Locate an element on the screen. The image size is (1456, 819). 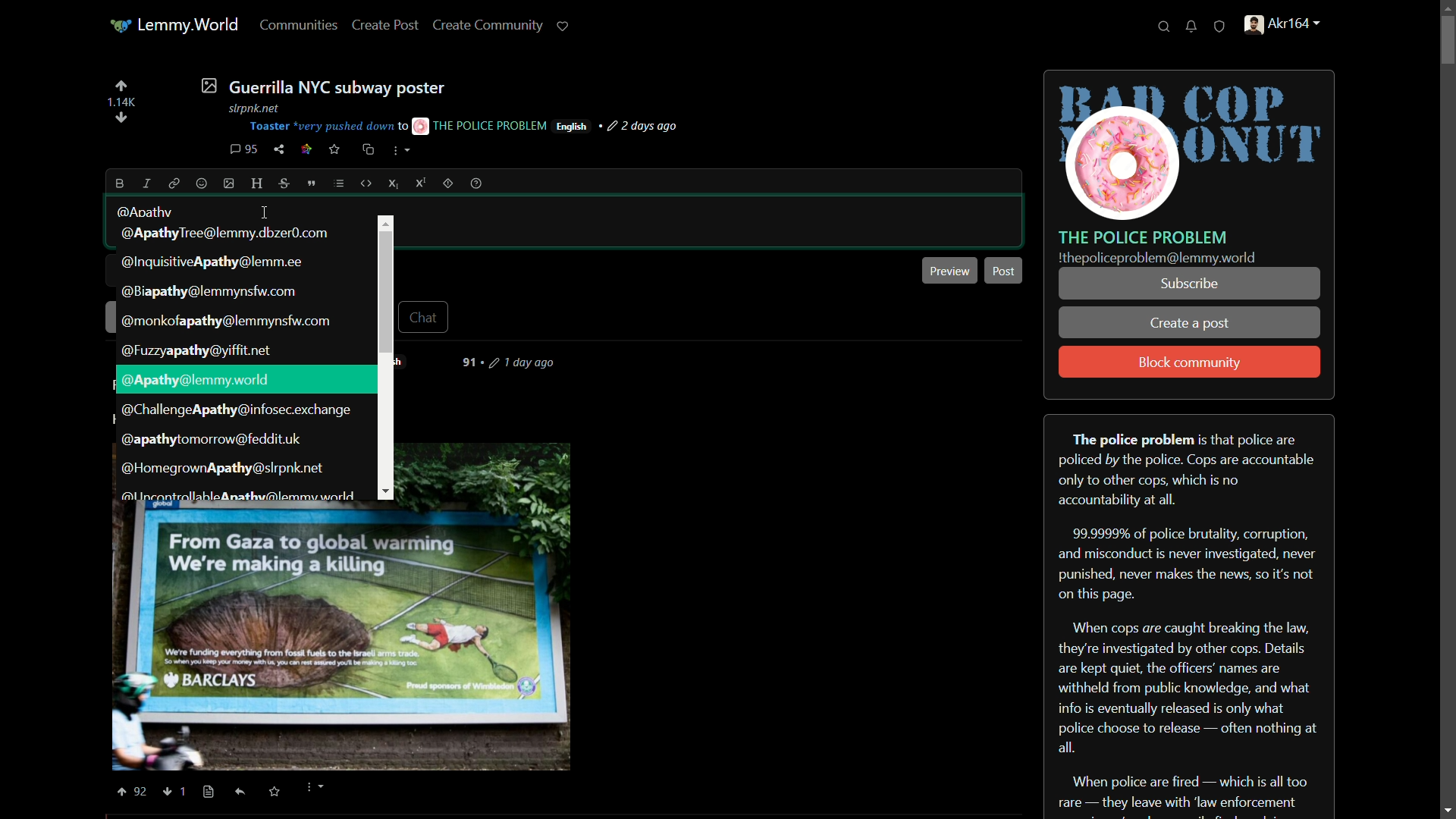
 is located at coordinates (189, 789).